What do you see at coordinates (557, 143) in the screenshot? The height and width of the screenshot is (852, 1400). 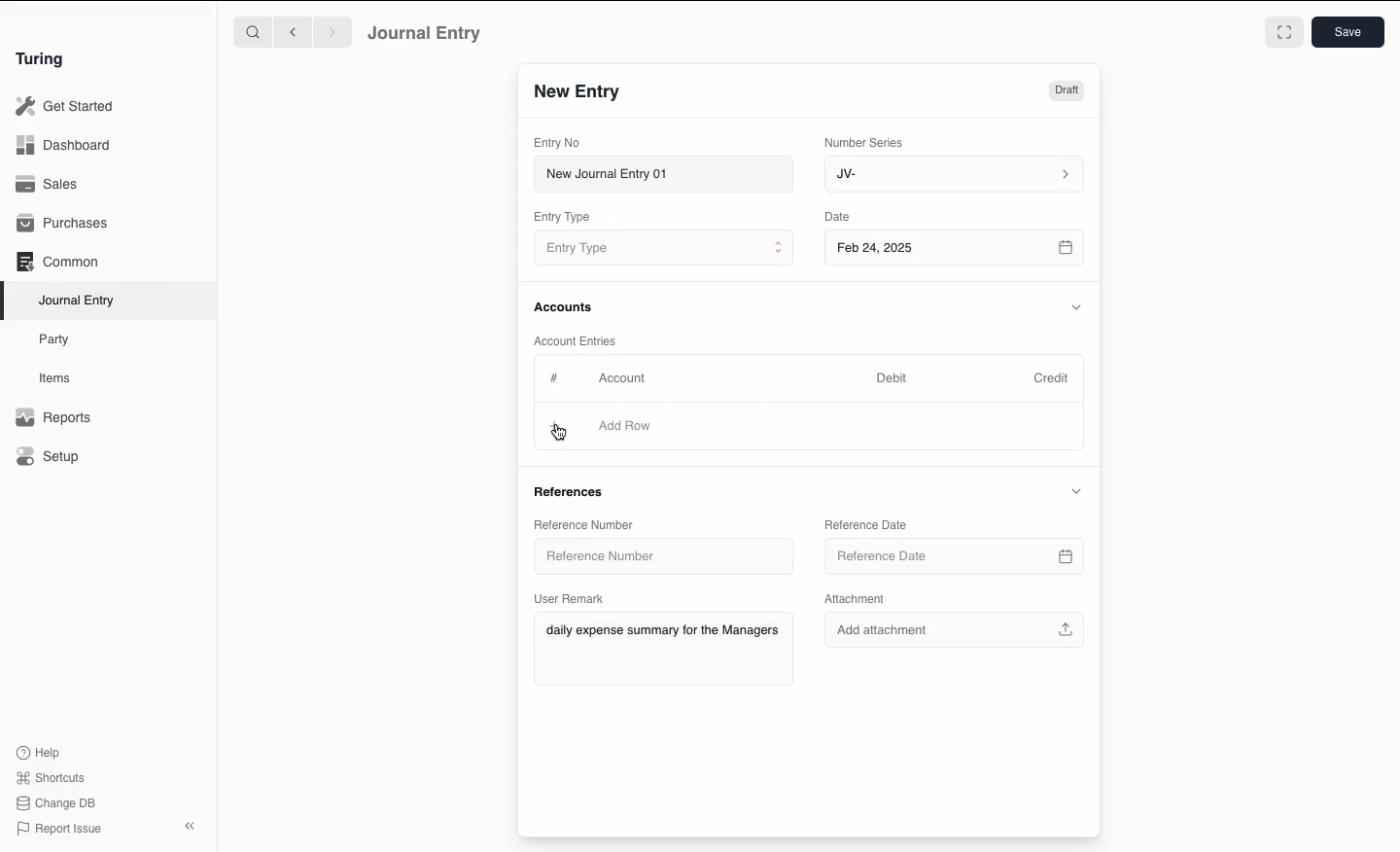 I see `Entry No` at bounding box center [557, 143].